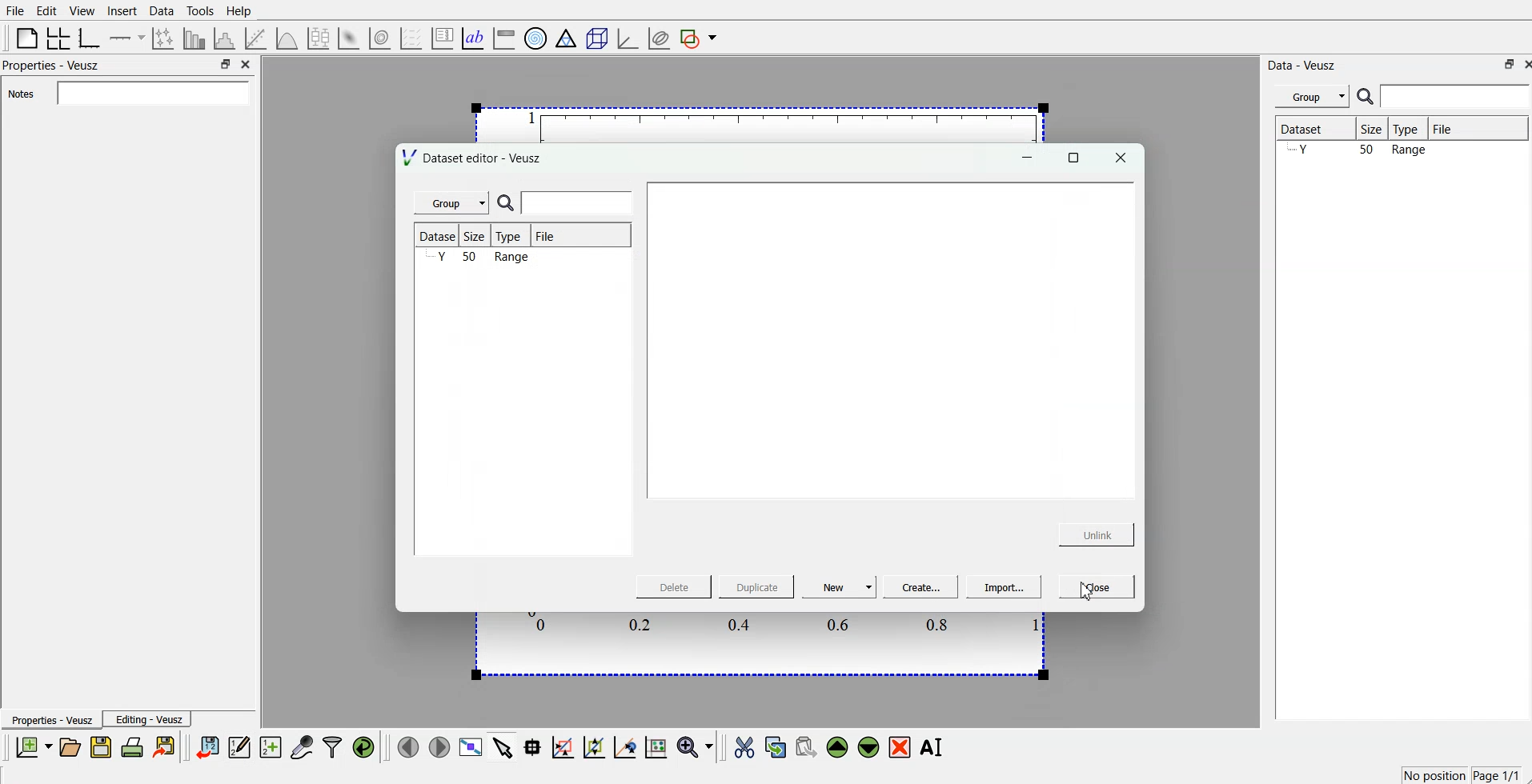 The width and height of the screenshot is (1532, 784). What do you see at coordinates (503, 37) in the screenshot?
I see `image color bar` at bounding box center [503, 37].